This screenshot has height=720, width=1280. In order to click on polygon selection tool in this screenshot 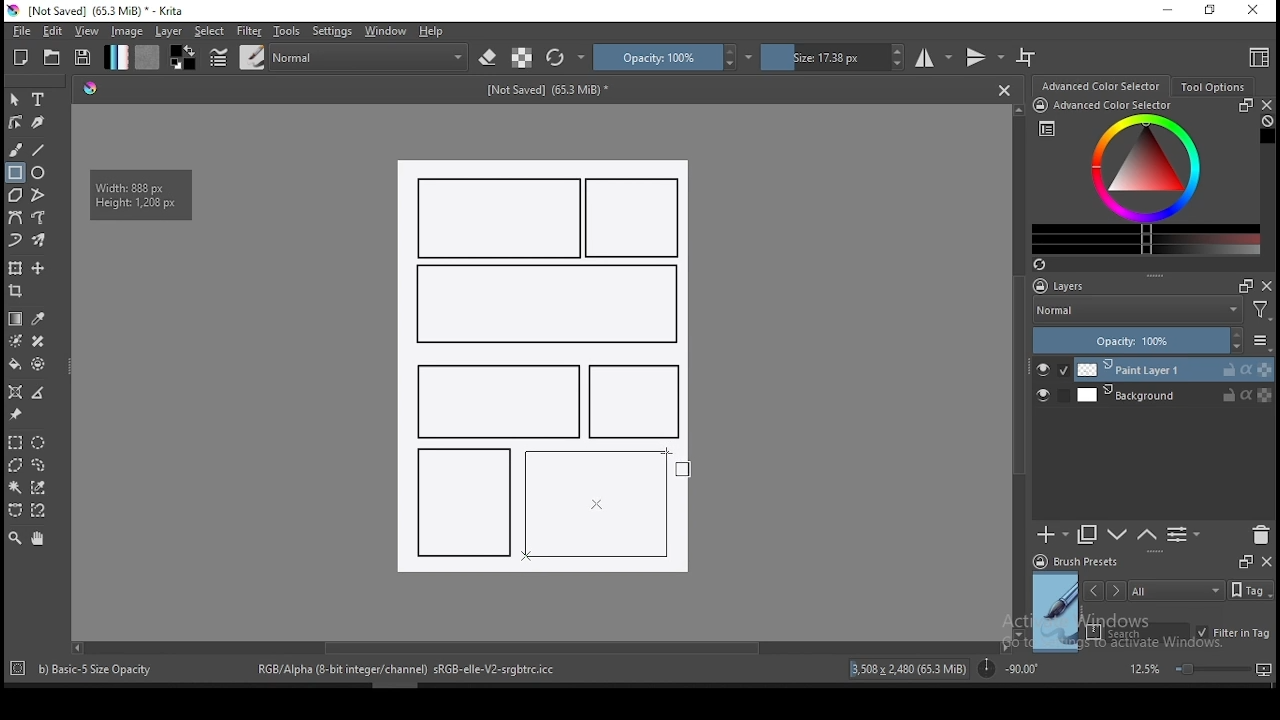, I will do `click(16, 465)`.